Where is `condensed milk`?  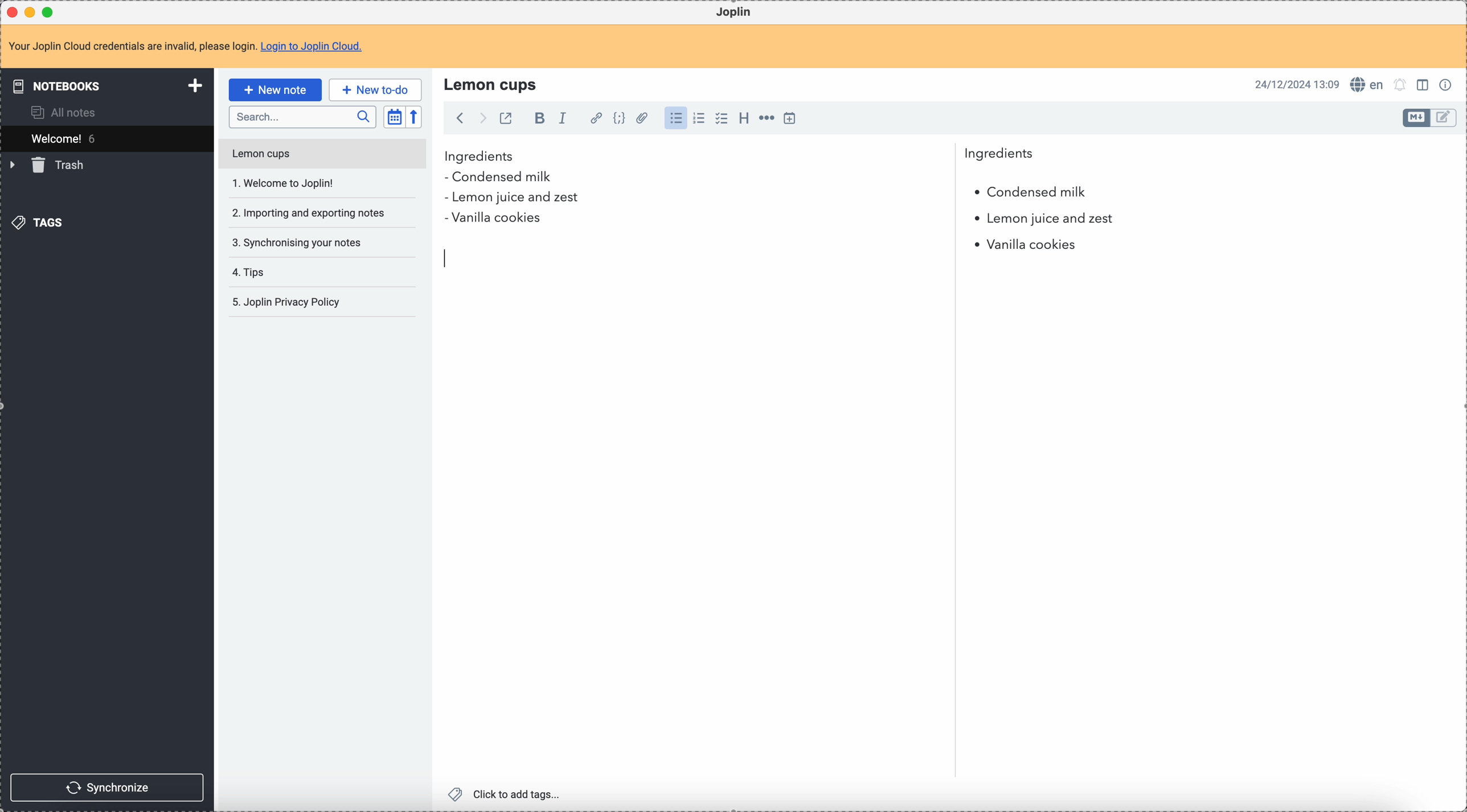 condensed milk is located at coordinates (502, 178).